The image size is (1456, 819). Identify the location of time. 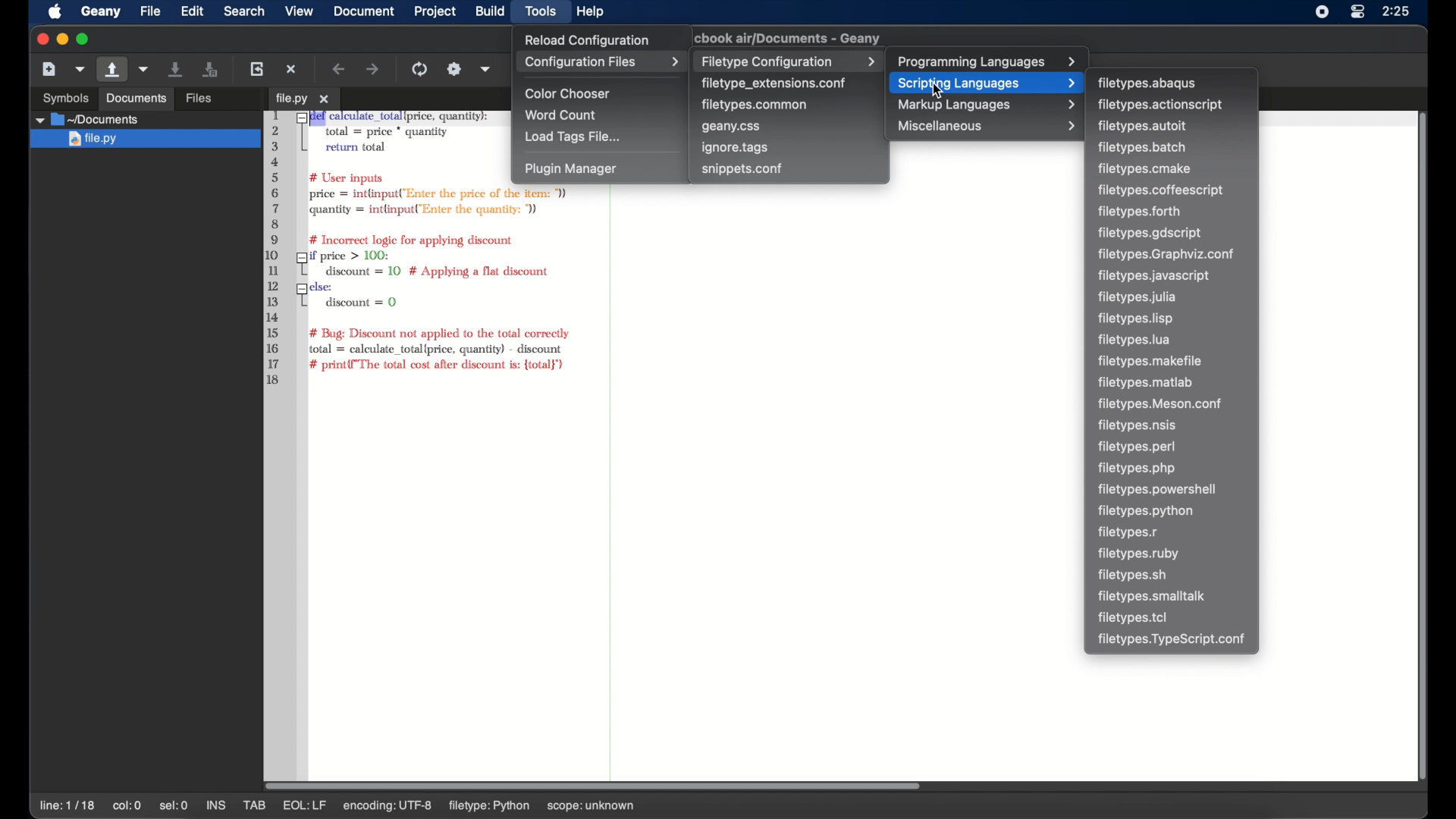
(1398, 11).